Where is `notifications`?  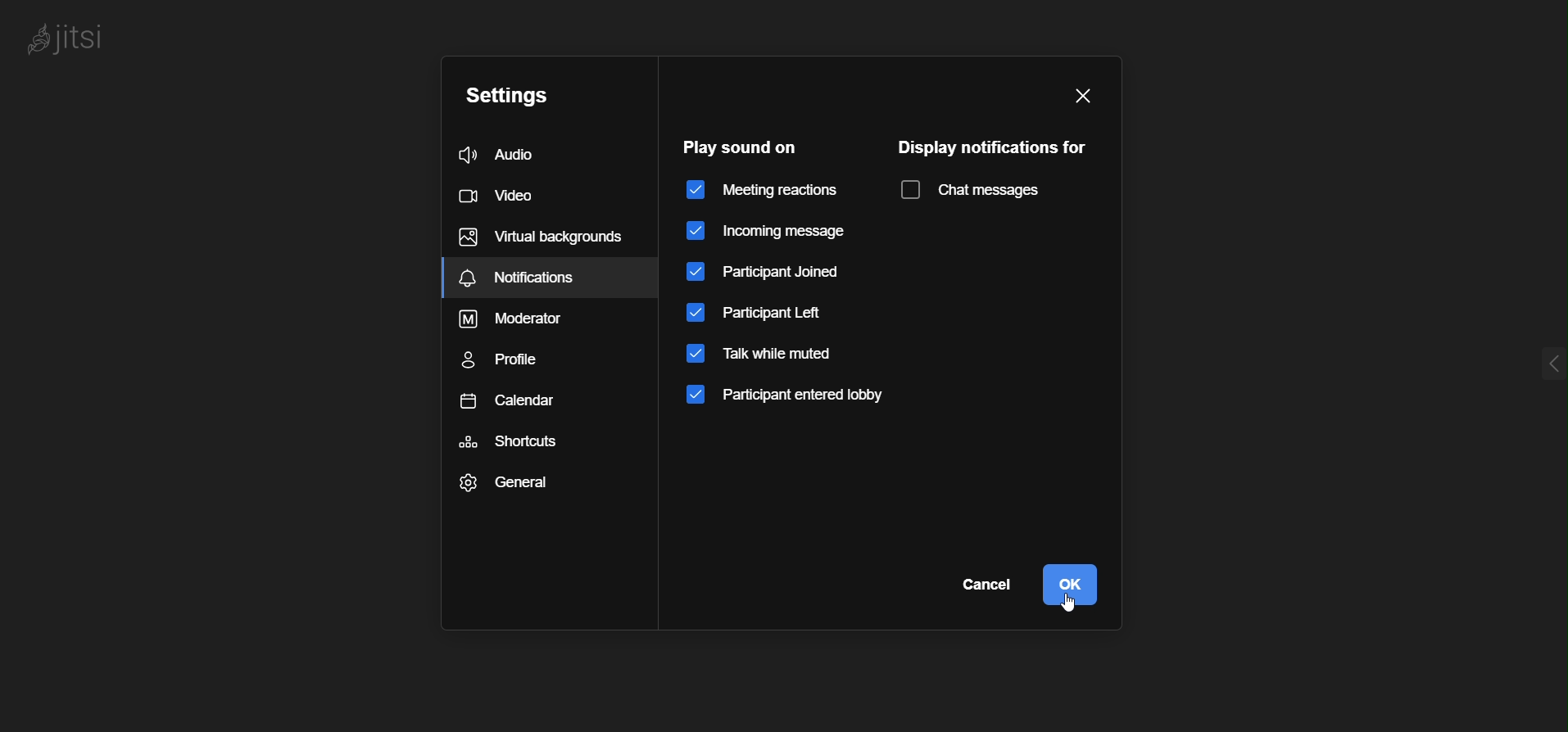 notifications is located at coordinates (553, 276).